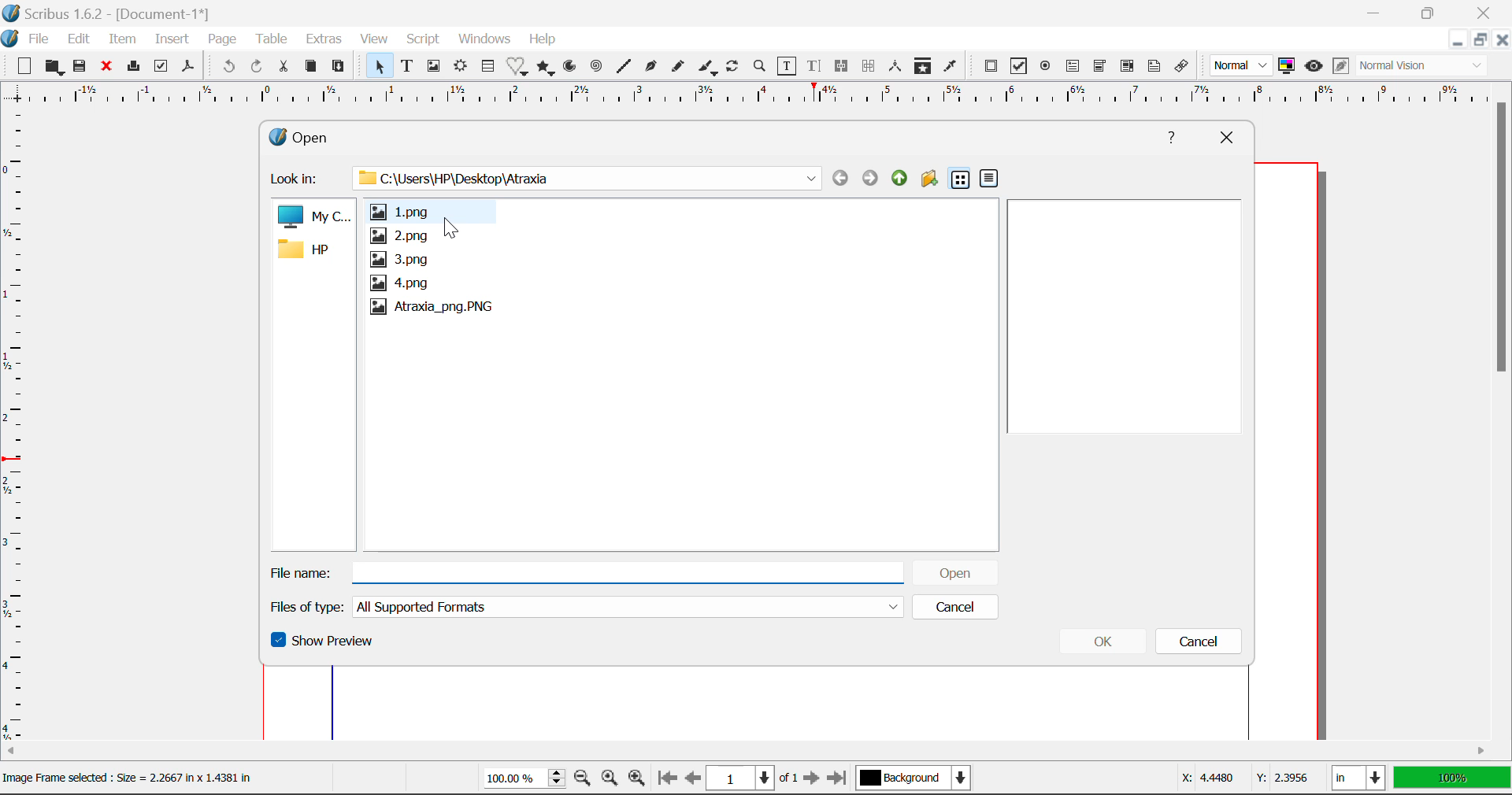  I want to click on Redo, so click(256, 65).